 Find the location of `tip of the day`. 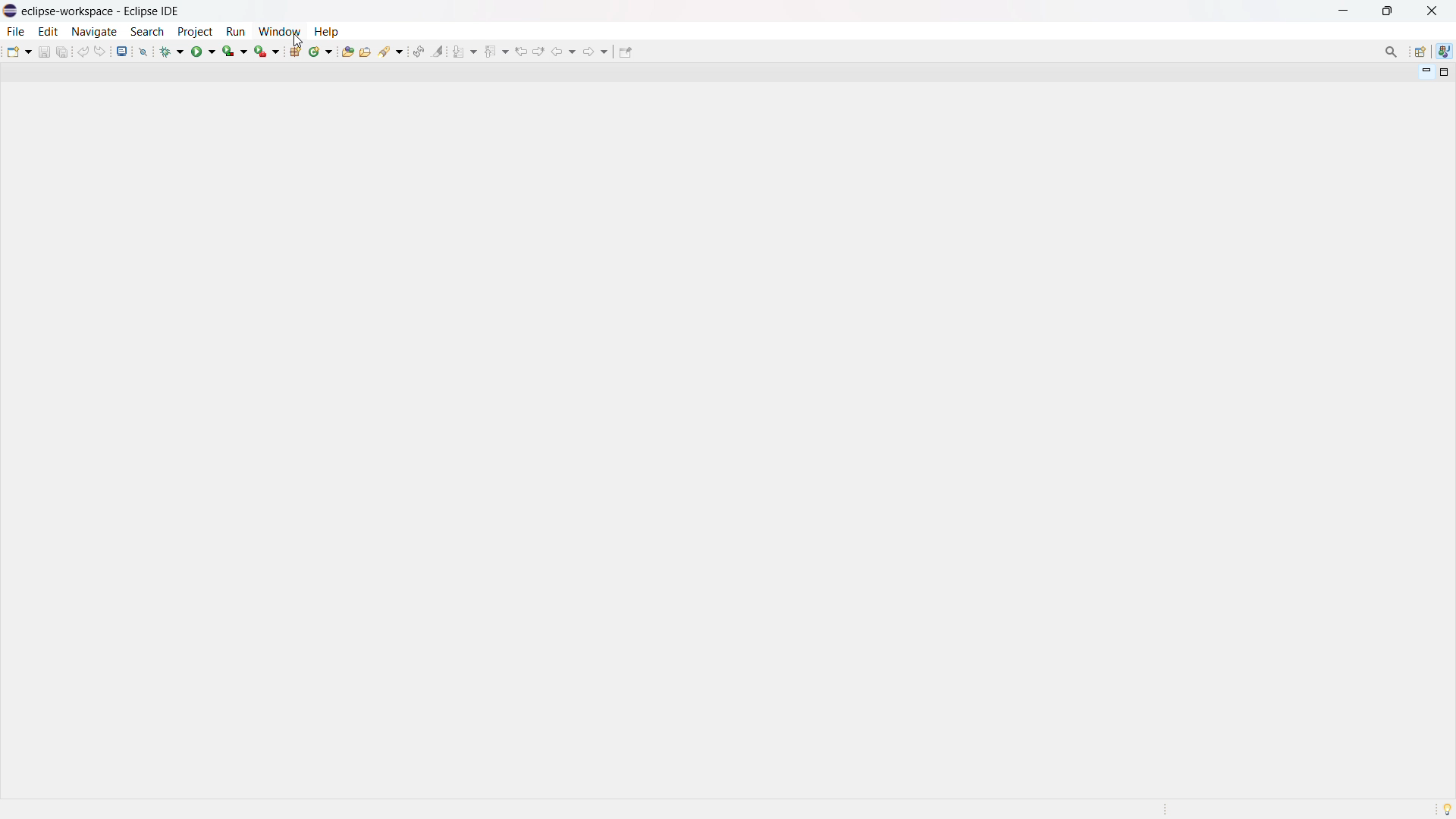

tip of the day is located at coordinates (1447, 808).